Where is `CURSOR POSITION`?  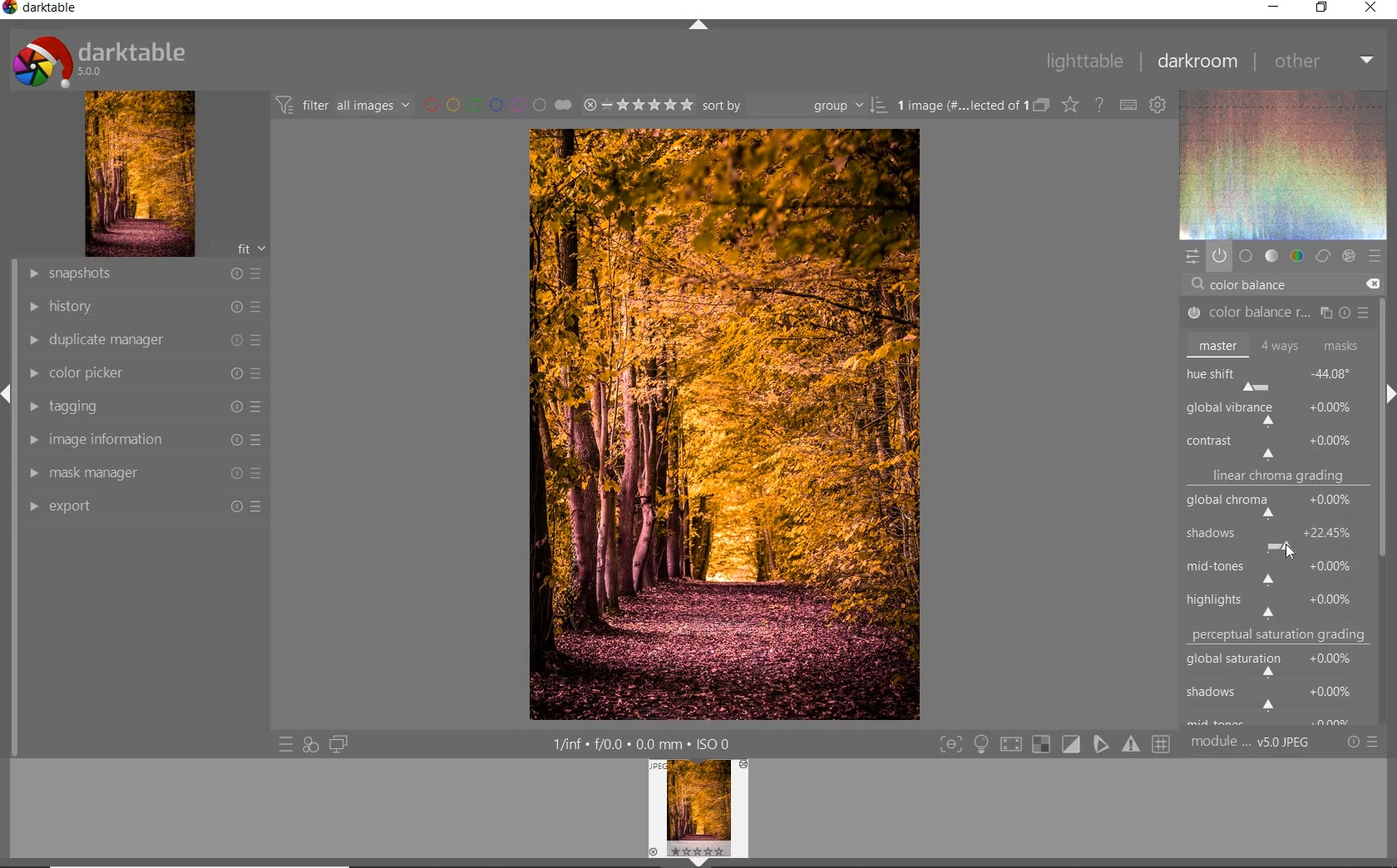 CURSOR POSITION is located at coordinates (1289, 548).